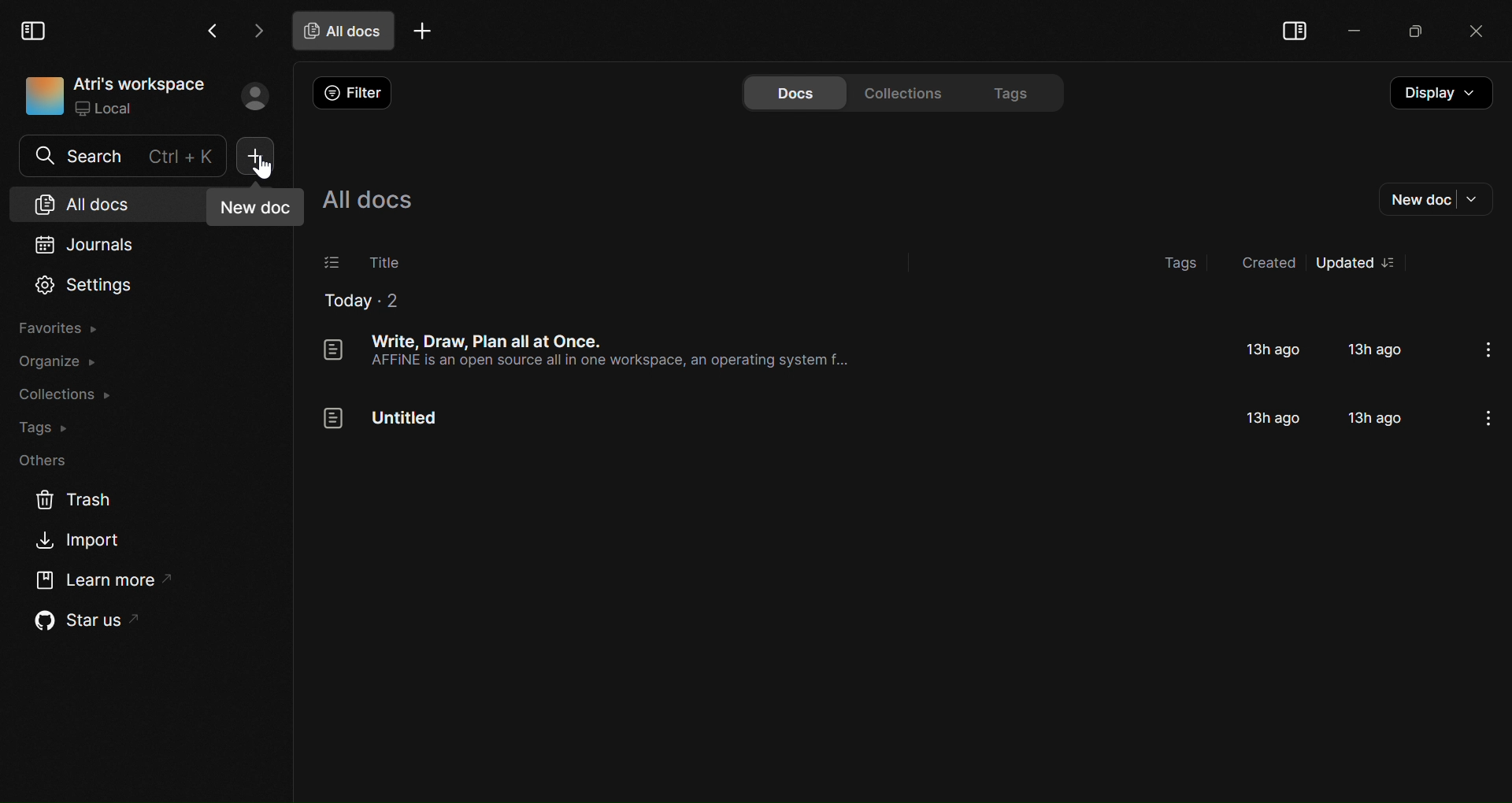 This screenshot has width=1512, height=803. Describe the element at coordinates (98, 579) in the screenshot. I see `Learn More` at that location.